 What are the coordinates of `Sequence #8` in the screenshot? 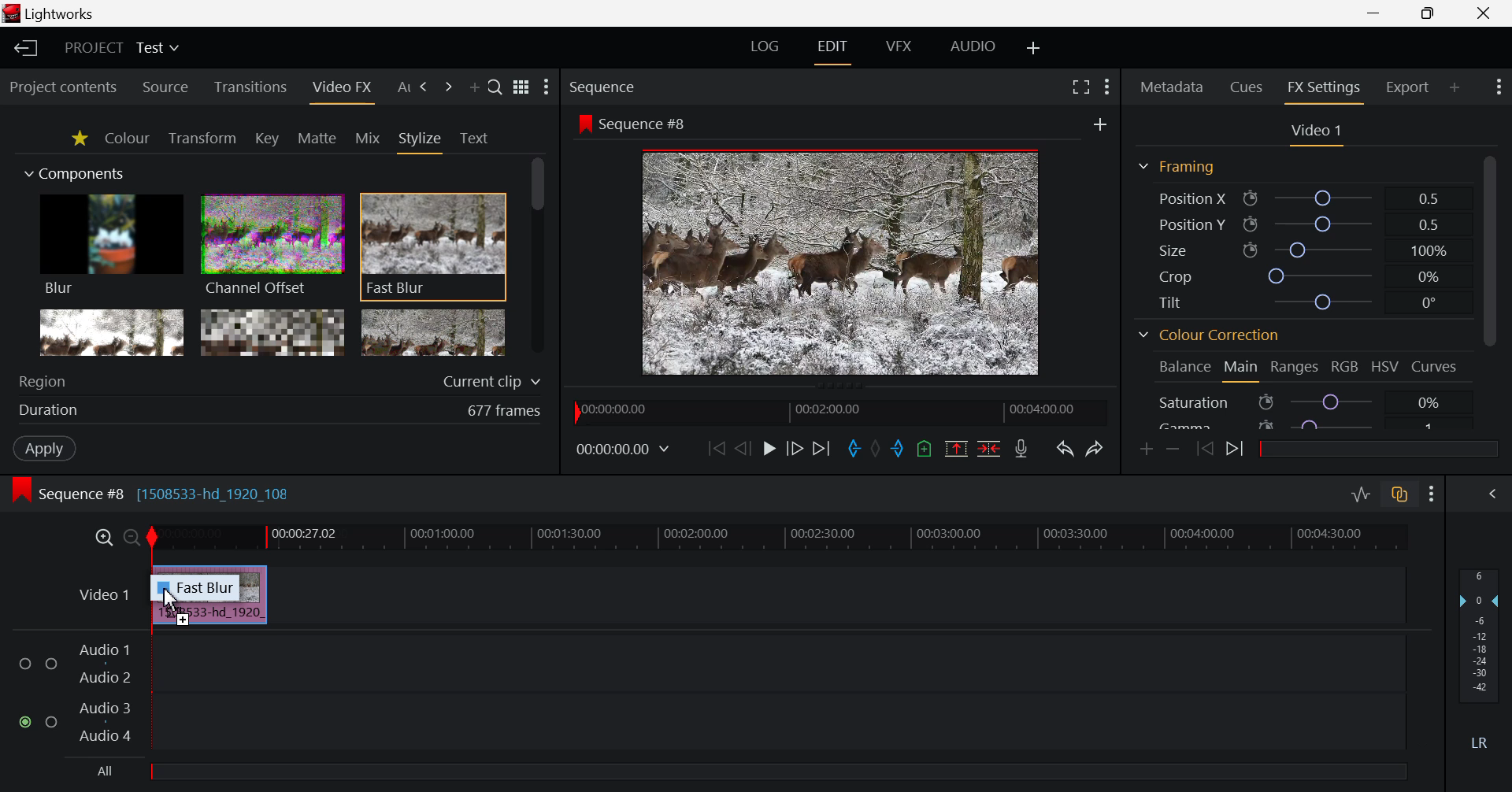 It's located at (630, 123).